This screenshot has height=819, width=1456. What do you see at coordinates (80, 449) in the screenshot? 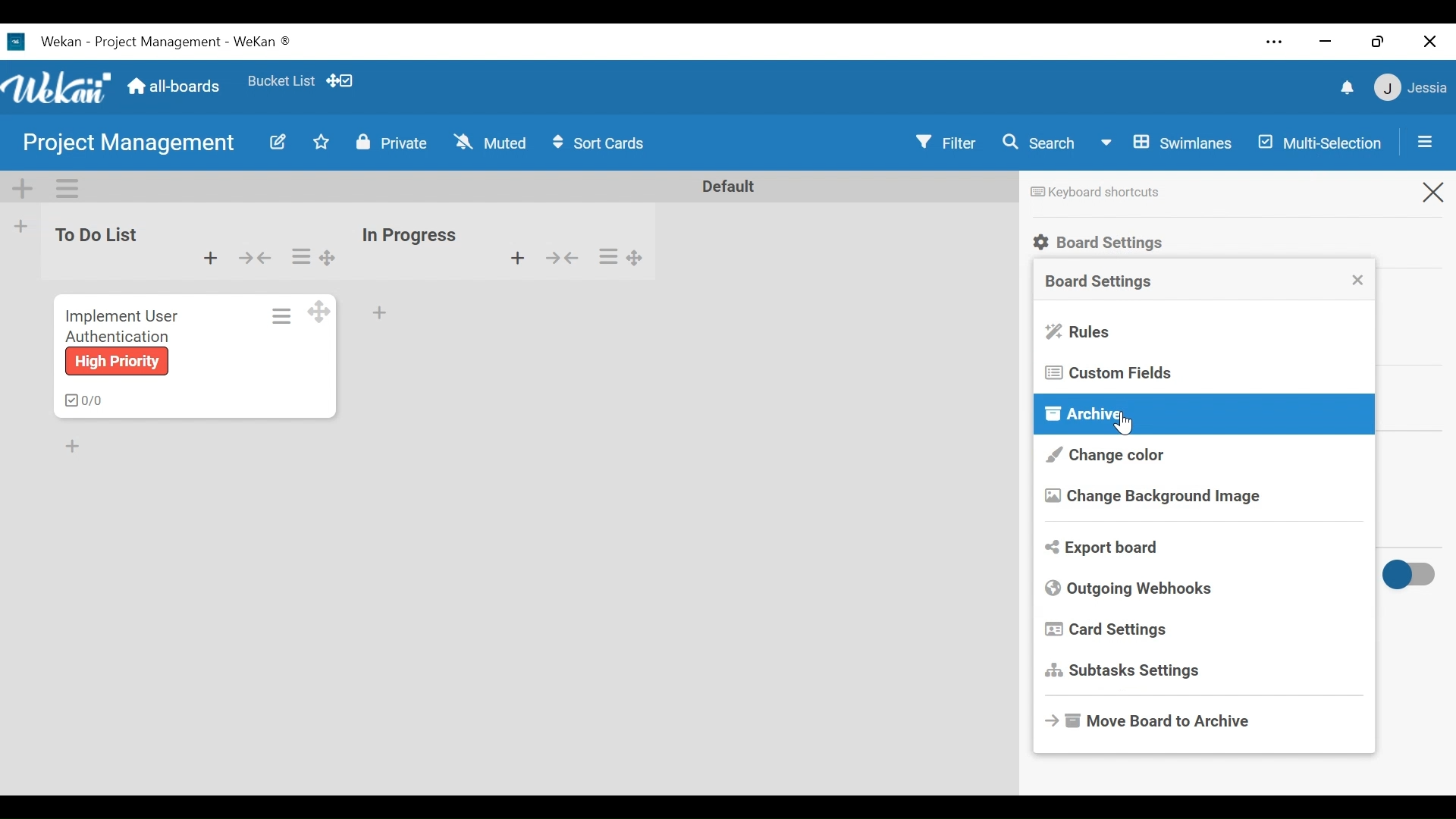
I see `Add Card Bottom of the list` at bounding box center [80, 449].